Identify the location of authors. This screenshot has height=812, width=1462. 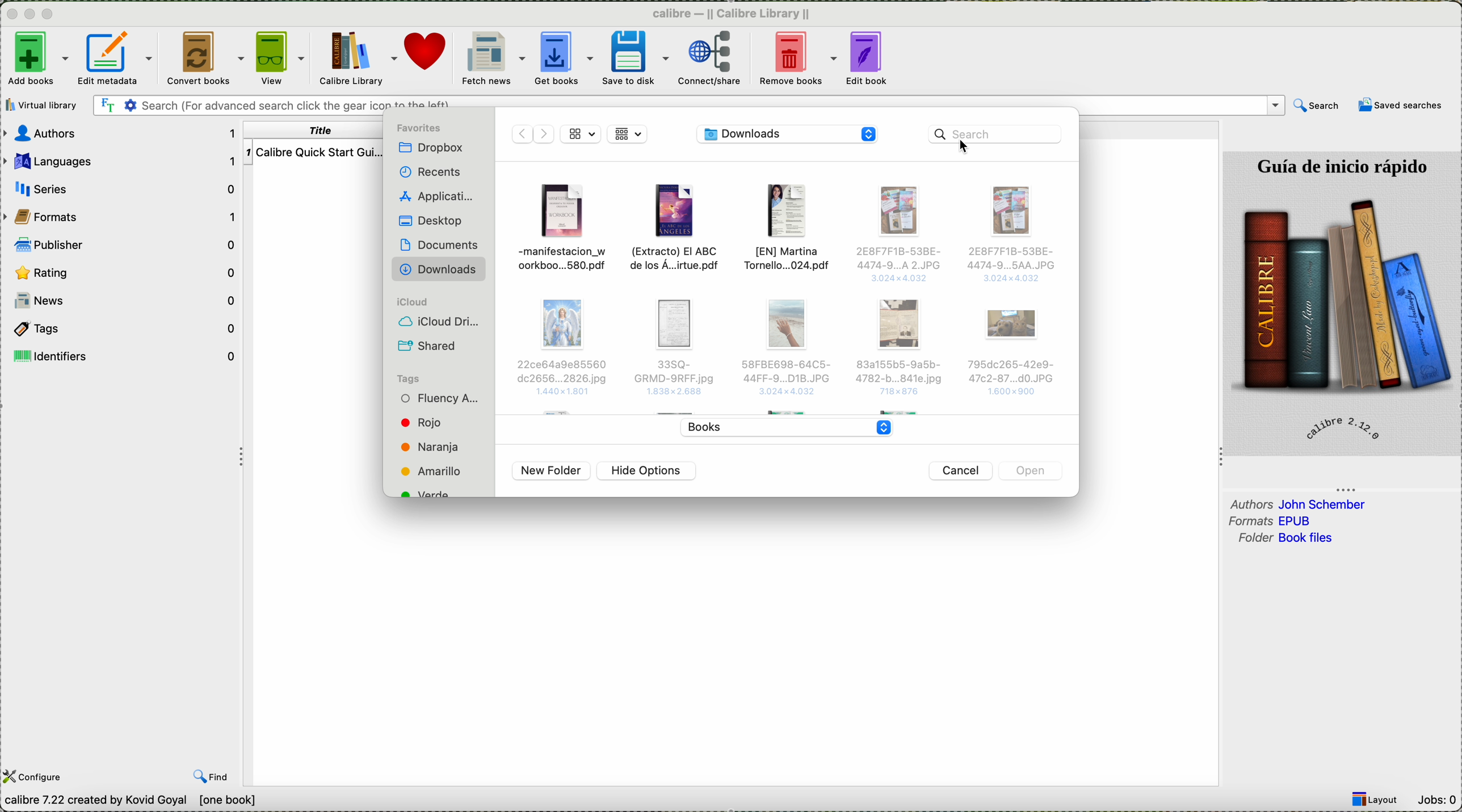
(123, 134).